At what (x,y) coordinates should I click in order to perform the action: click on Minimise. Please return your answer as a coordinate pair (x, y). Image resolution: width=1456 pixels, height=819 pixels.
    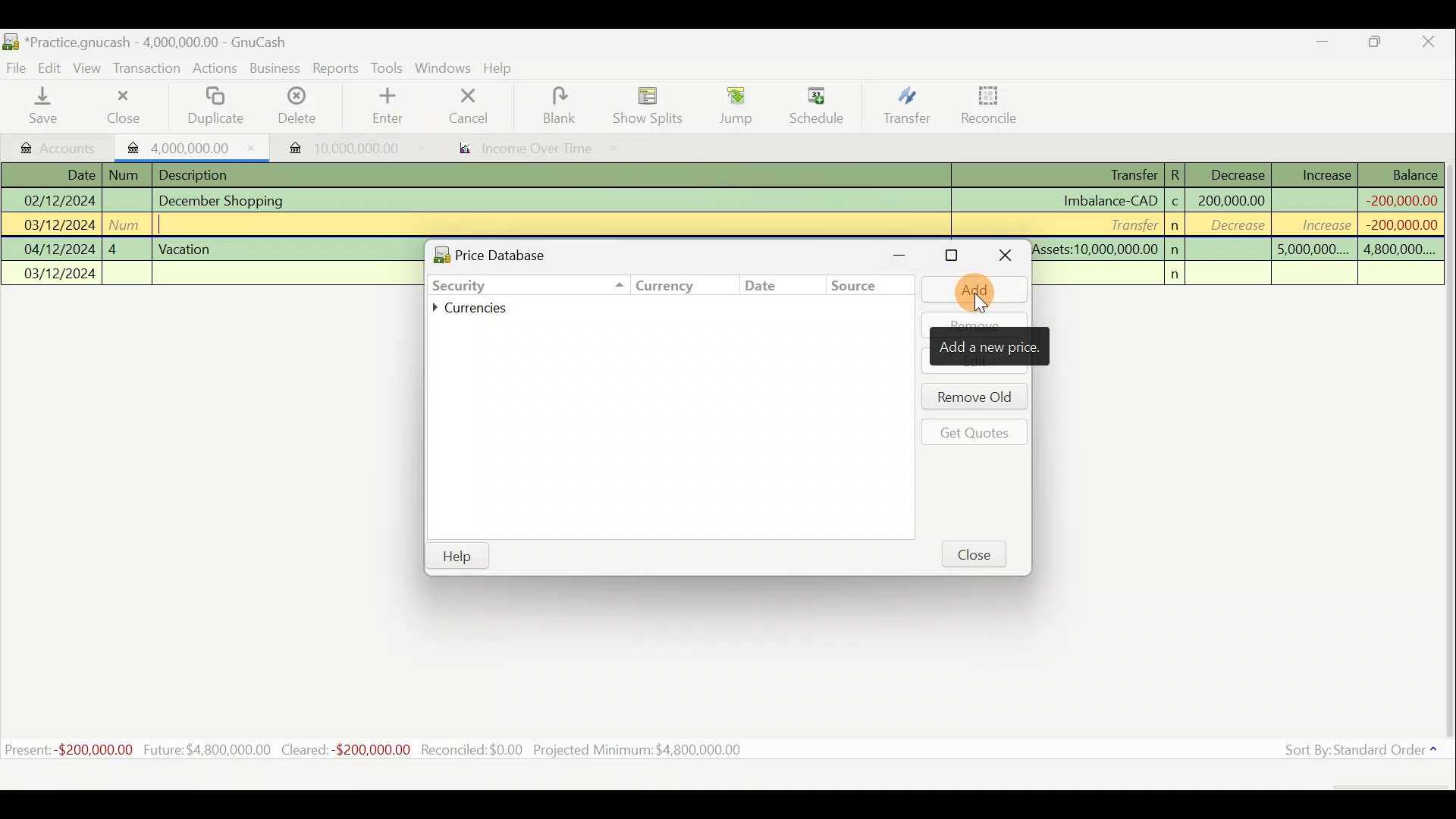
    Looking at the image, I should click on (908, 255).